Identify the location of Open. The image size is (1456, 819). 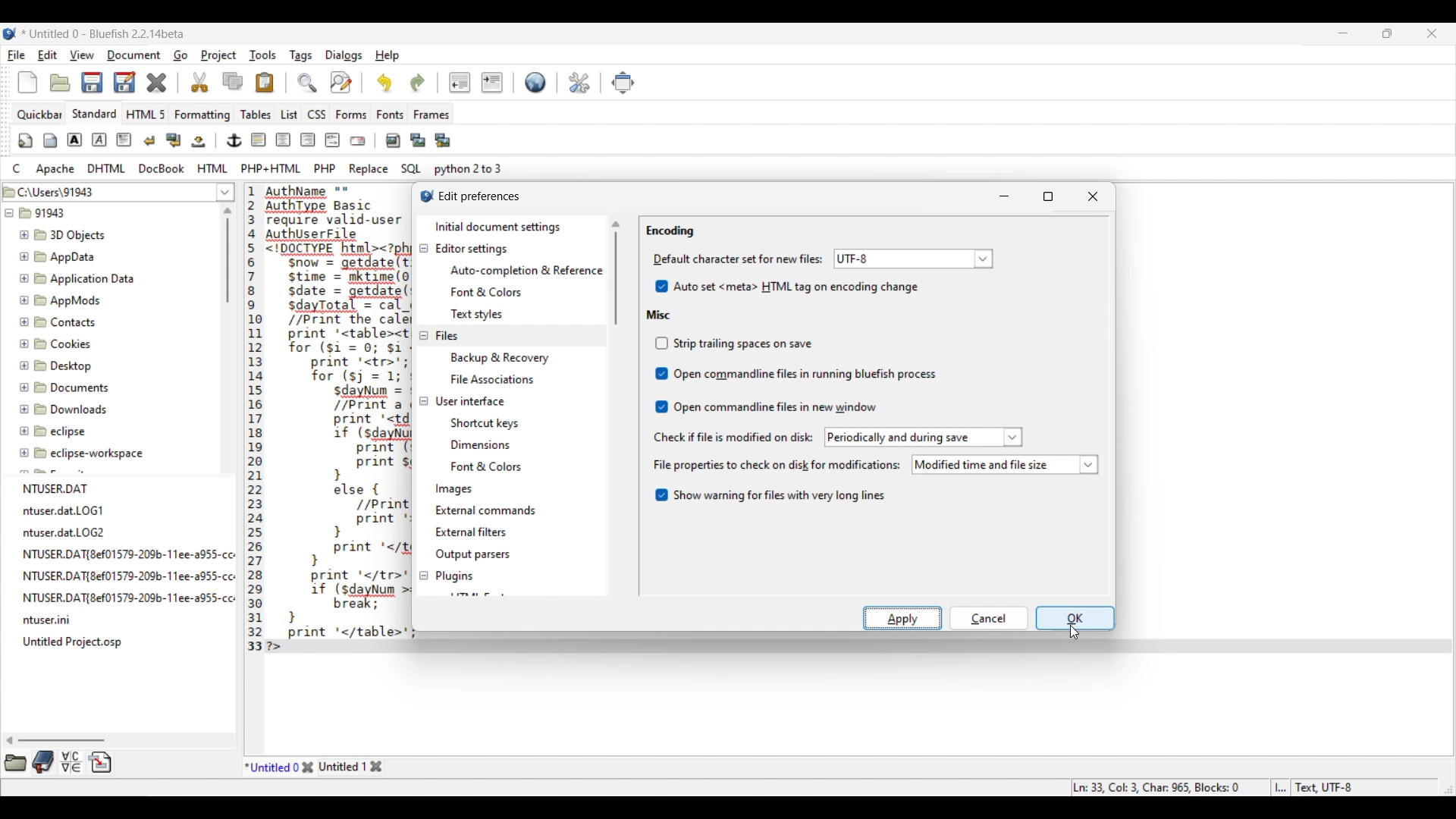
(60, 83).